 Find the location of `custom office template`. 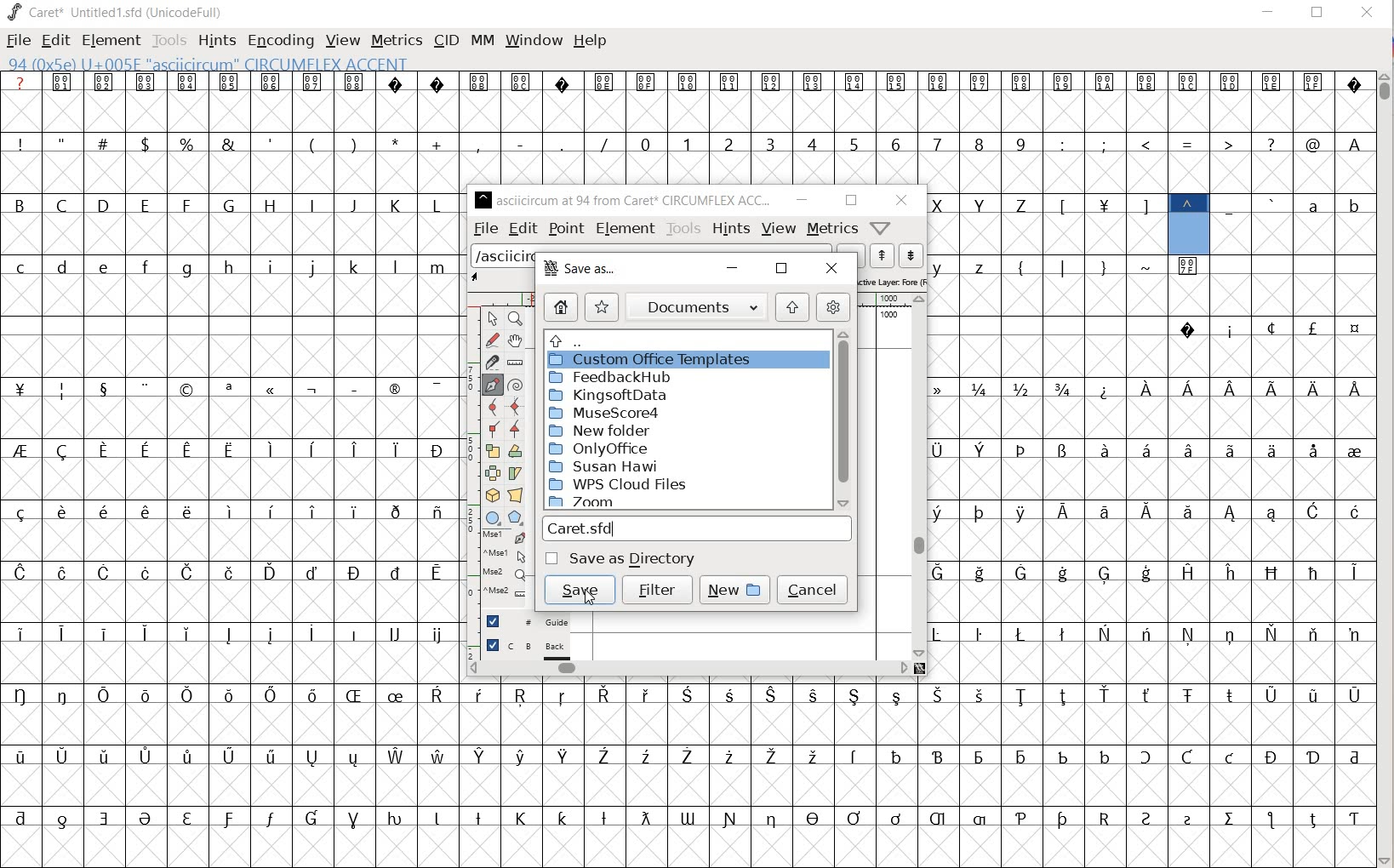

custom office template is located at coordinates (677, 360).